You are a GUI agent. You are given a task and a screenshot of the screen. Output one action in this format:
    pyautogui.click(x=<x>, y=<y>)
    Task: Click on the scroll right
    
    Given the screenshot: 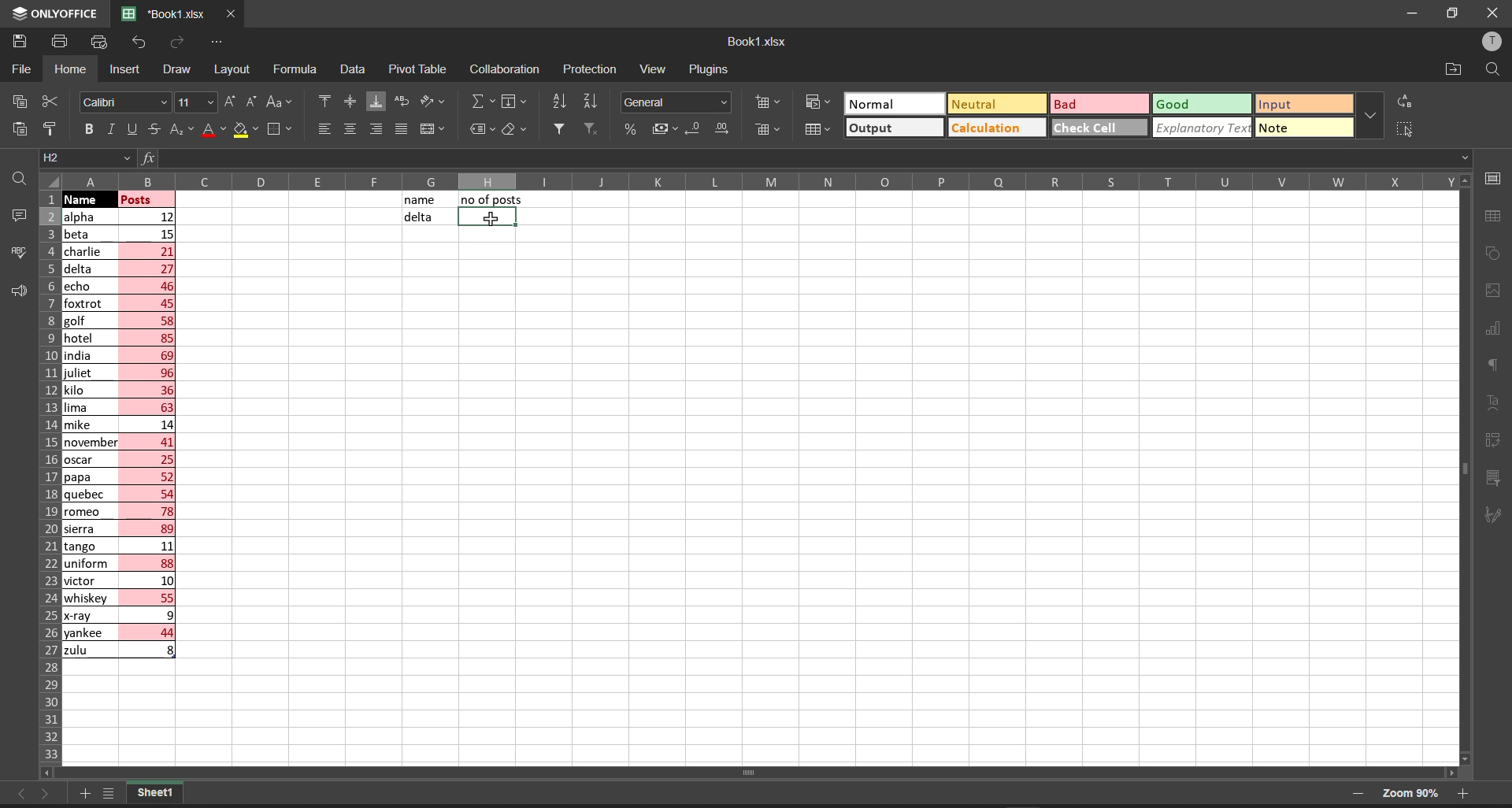 What is the action you would take?
    pyautogui.click(x=1447, y=770)
    